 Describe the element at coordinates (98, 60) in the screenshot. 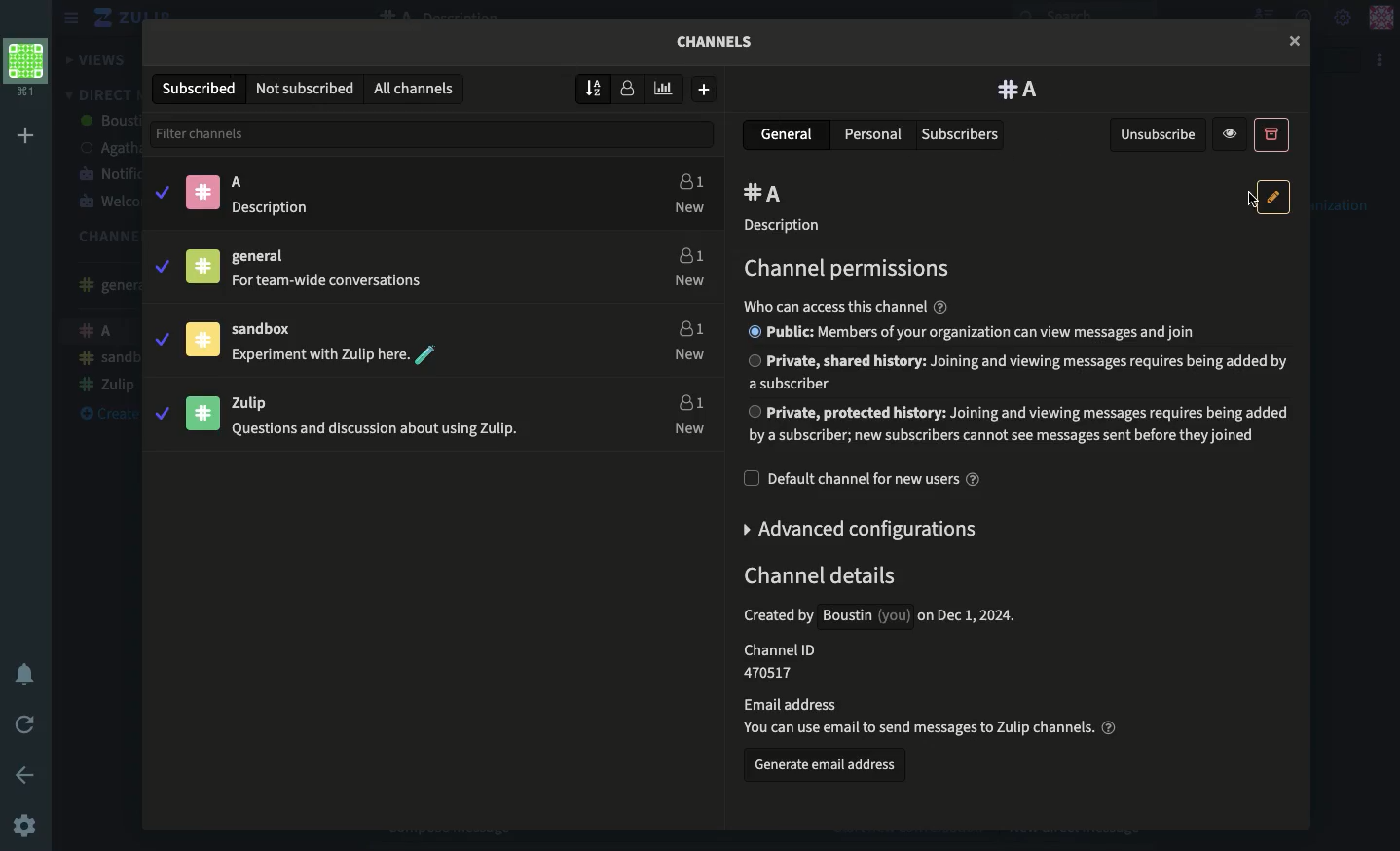

I see `Views` at that location.